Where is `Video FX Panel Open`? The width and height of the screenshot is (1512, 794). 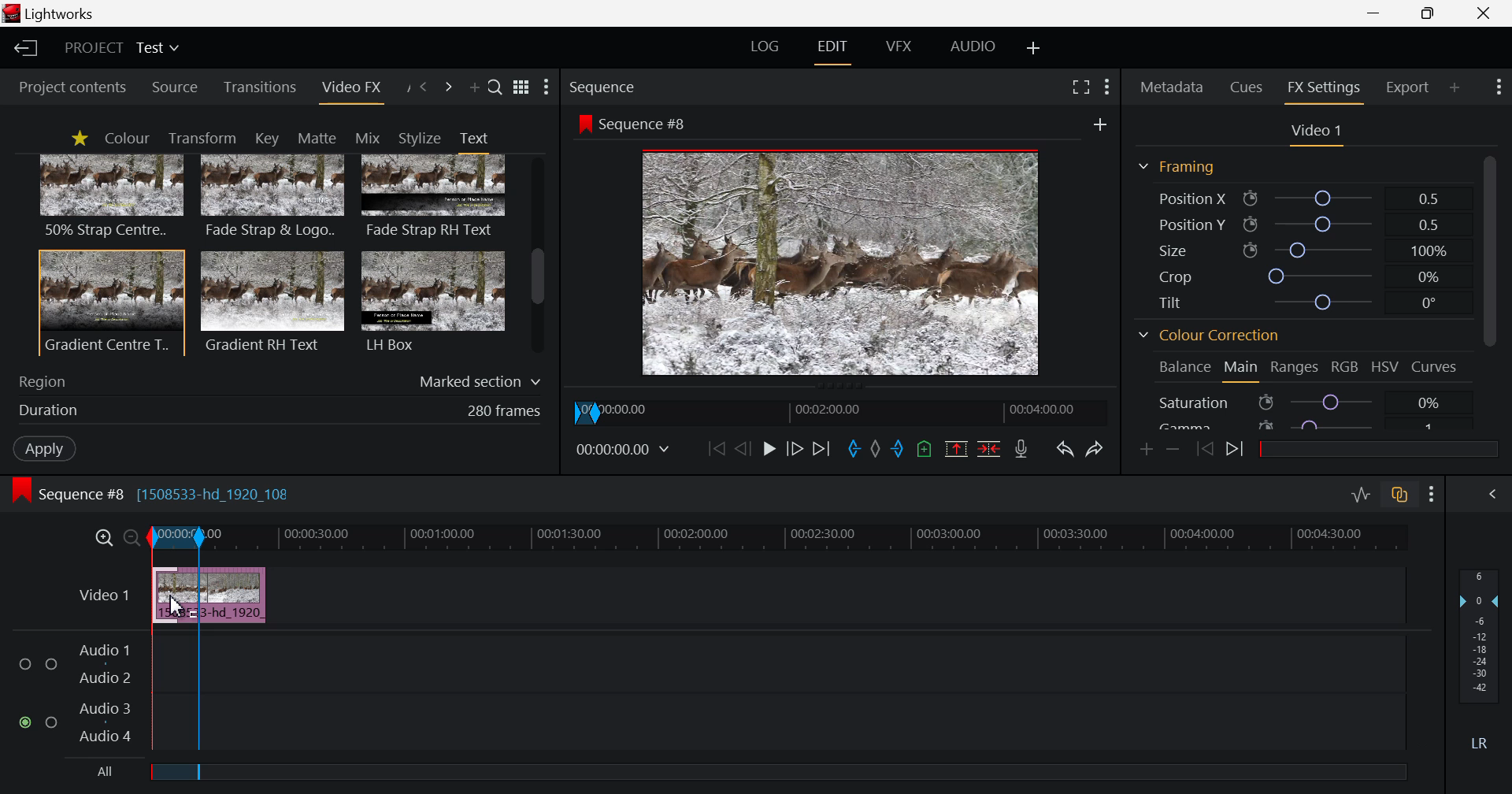
Video FX Panel Open is located at coordinates (354, 91).